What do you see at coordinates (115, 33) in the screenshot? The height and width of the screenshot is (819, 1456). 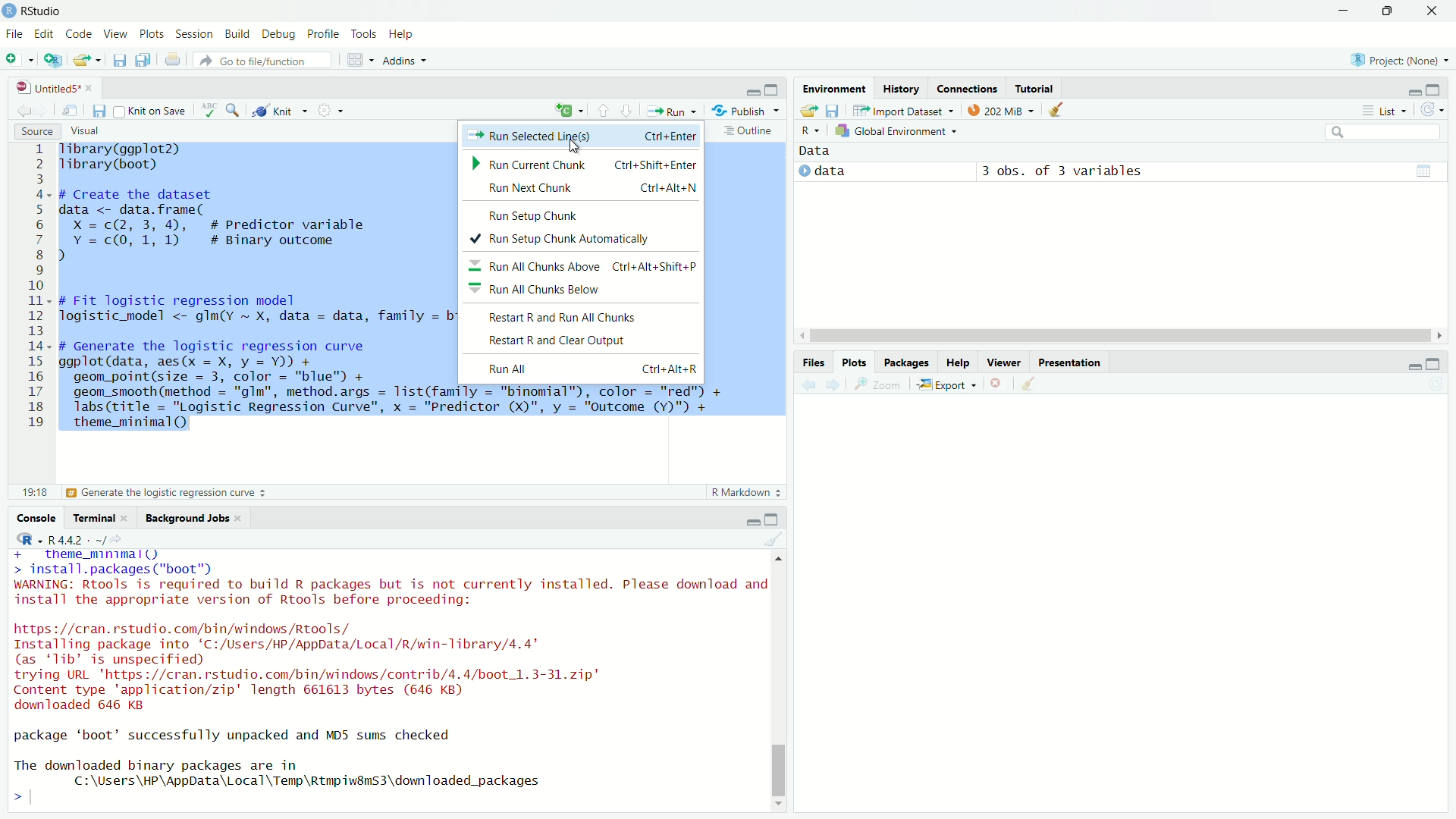 I see `View` at bounding box center [115, 33].